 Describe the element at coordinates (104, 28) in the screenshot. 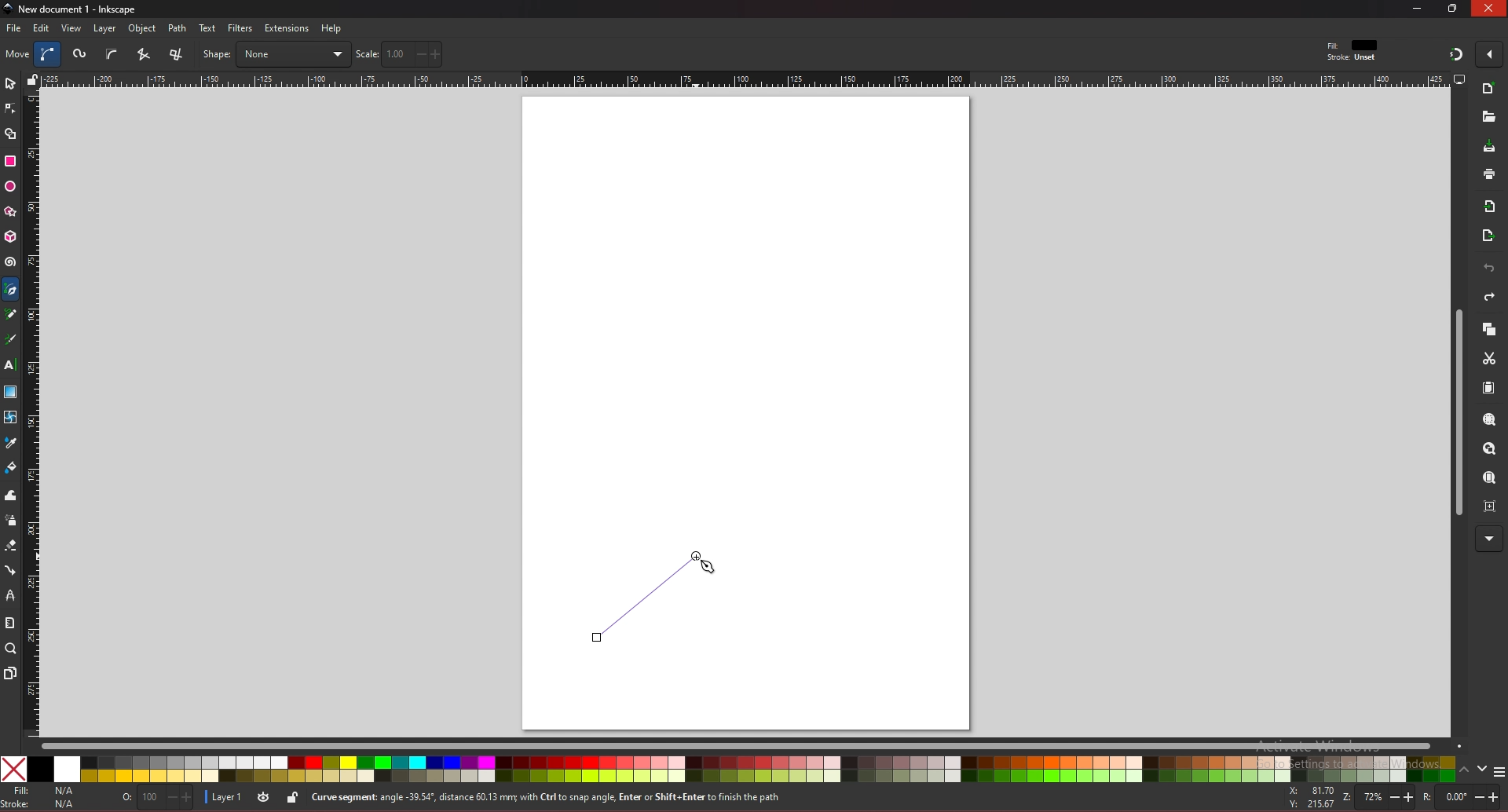

I see `layer` at that location.